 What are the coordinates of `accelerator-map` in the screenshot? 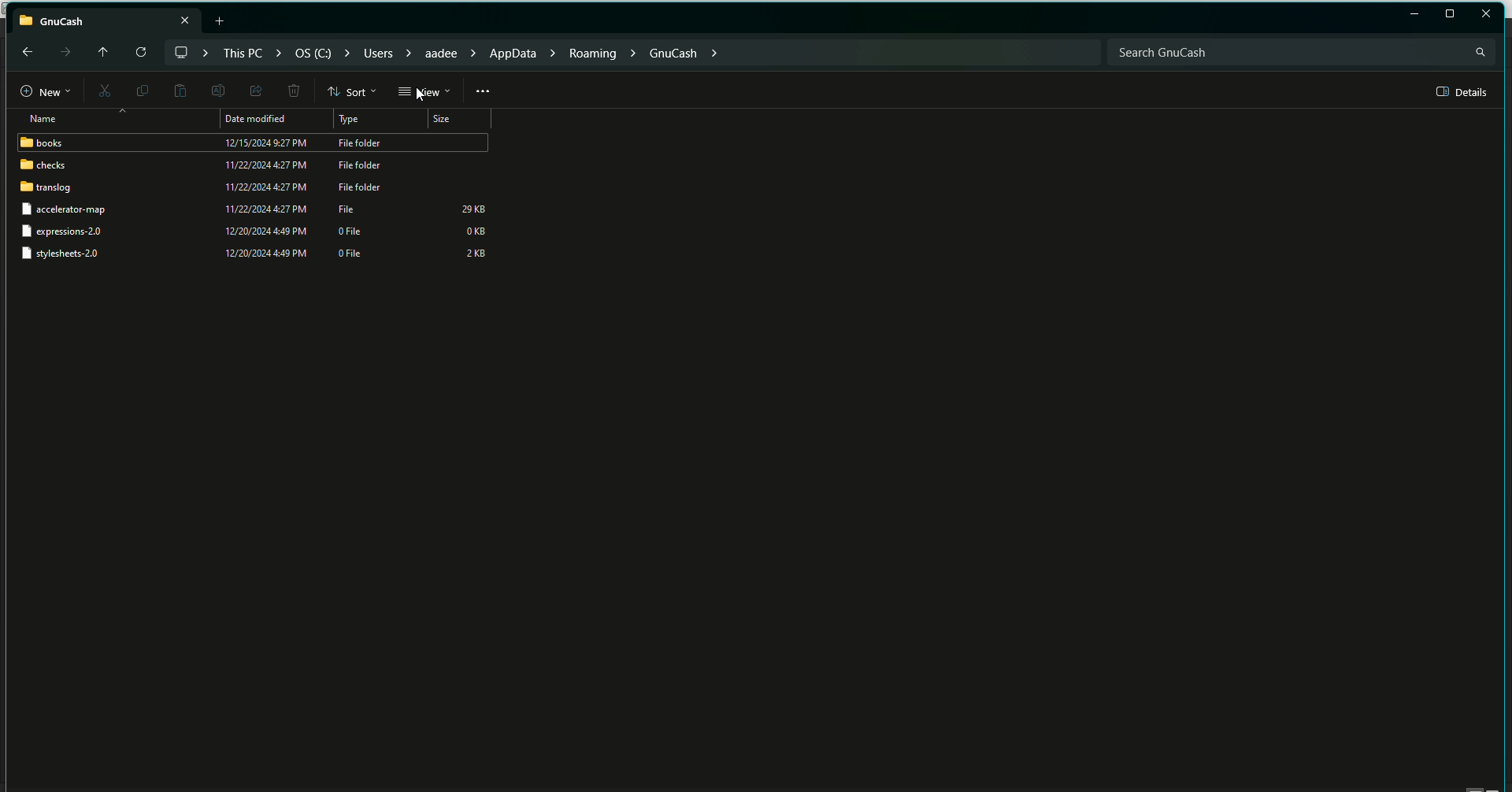 It's located at (76, 211).